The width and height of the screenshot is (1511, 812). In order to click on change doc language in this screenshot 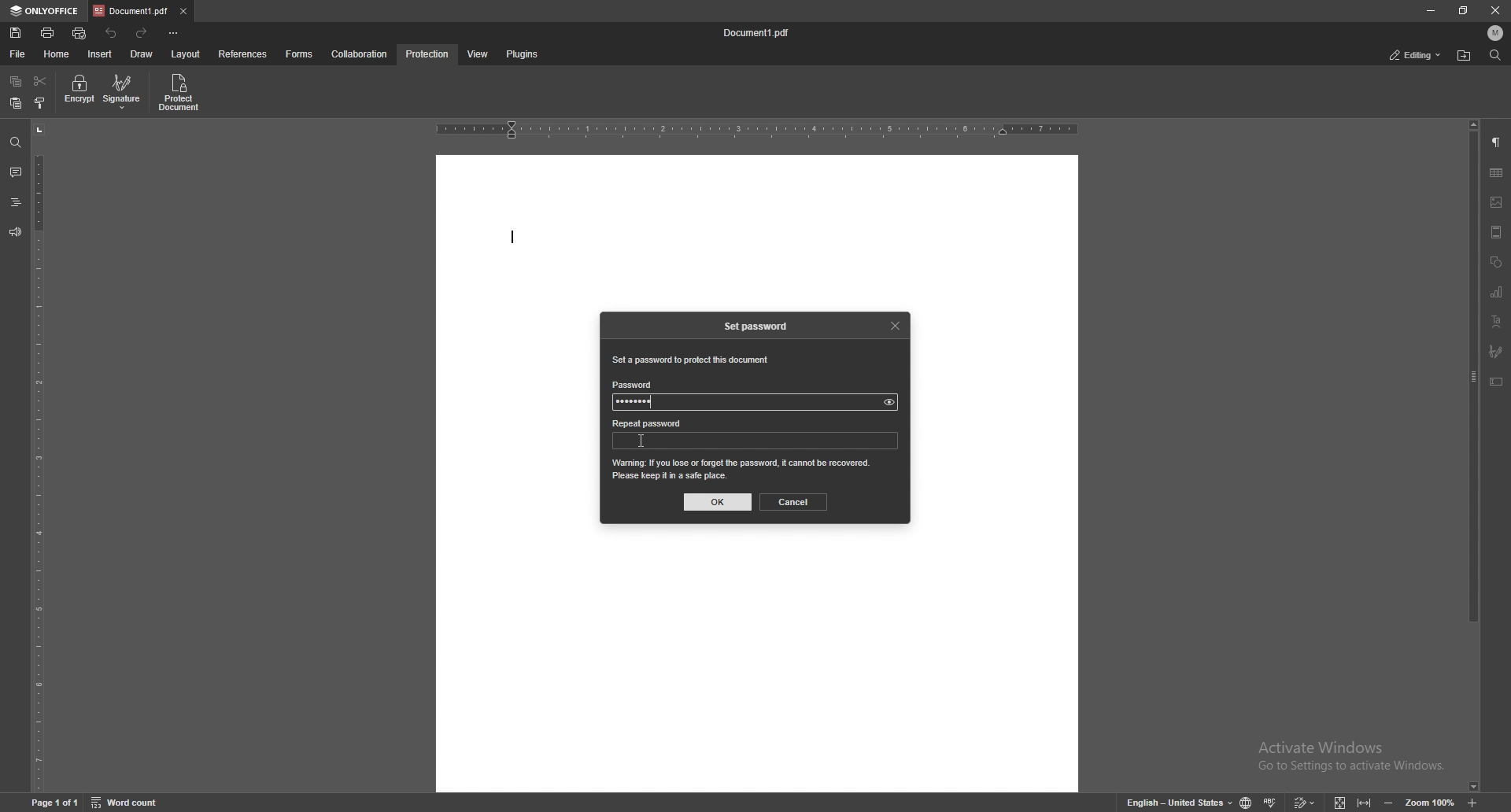, I will do `click(1247, 802)`.